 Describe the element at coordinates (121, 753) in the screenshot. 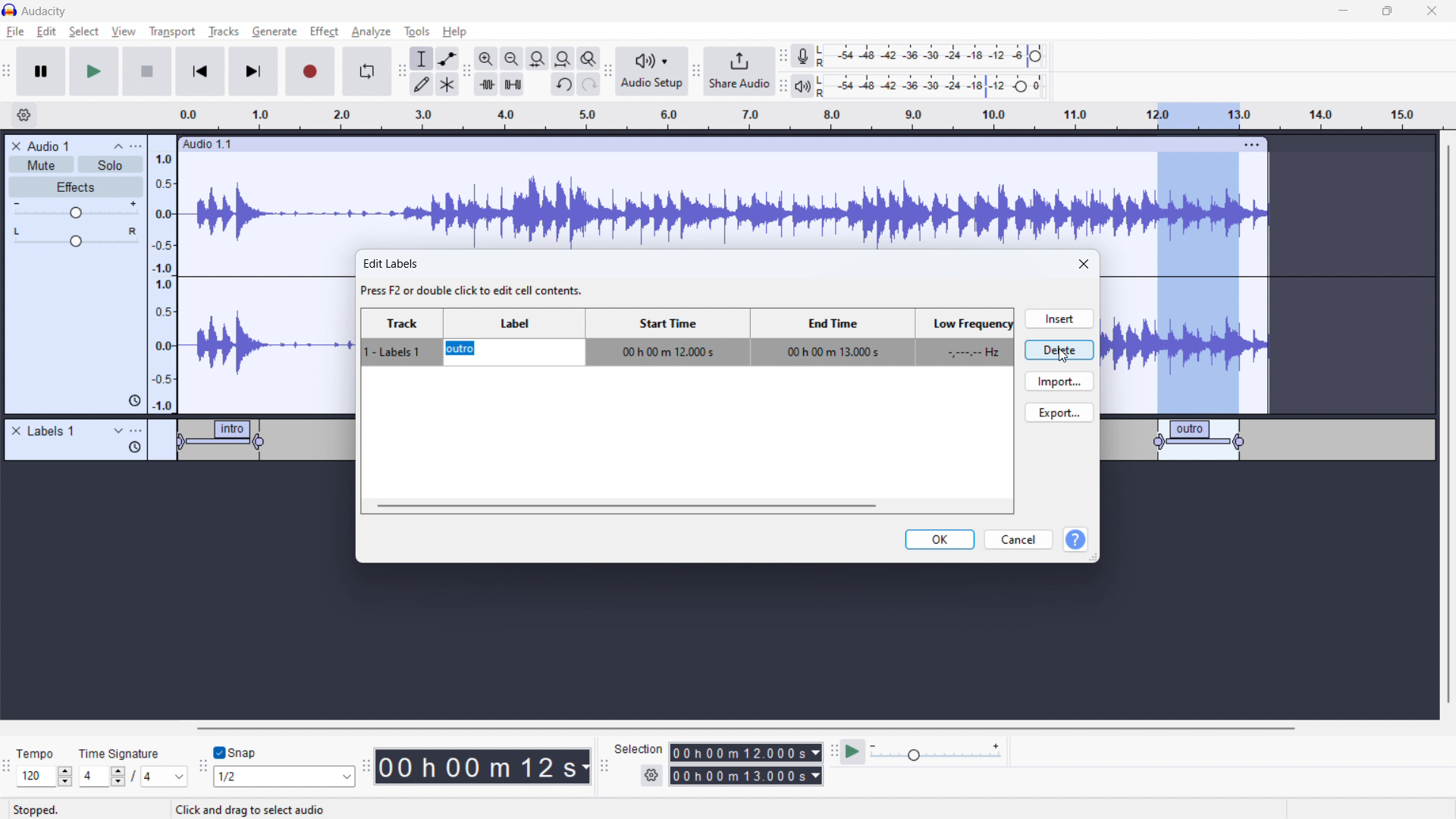

I see `time signature` at that location.